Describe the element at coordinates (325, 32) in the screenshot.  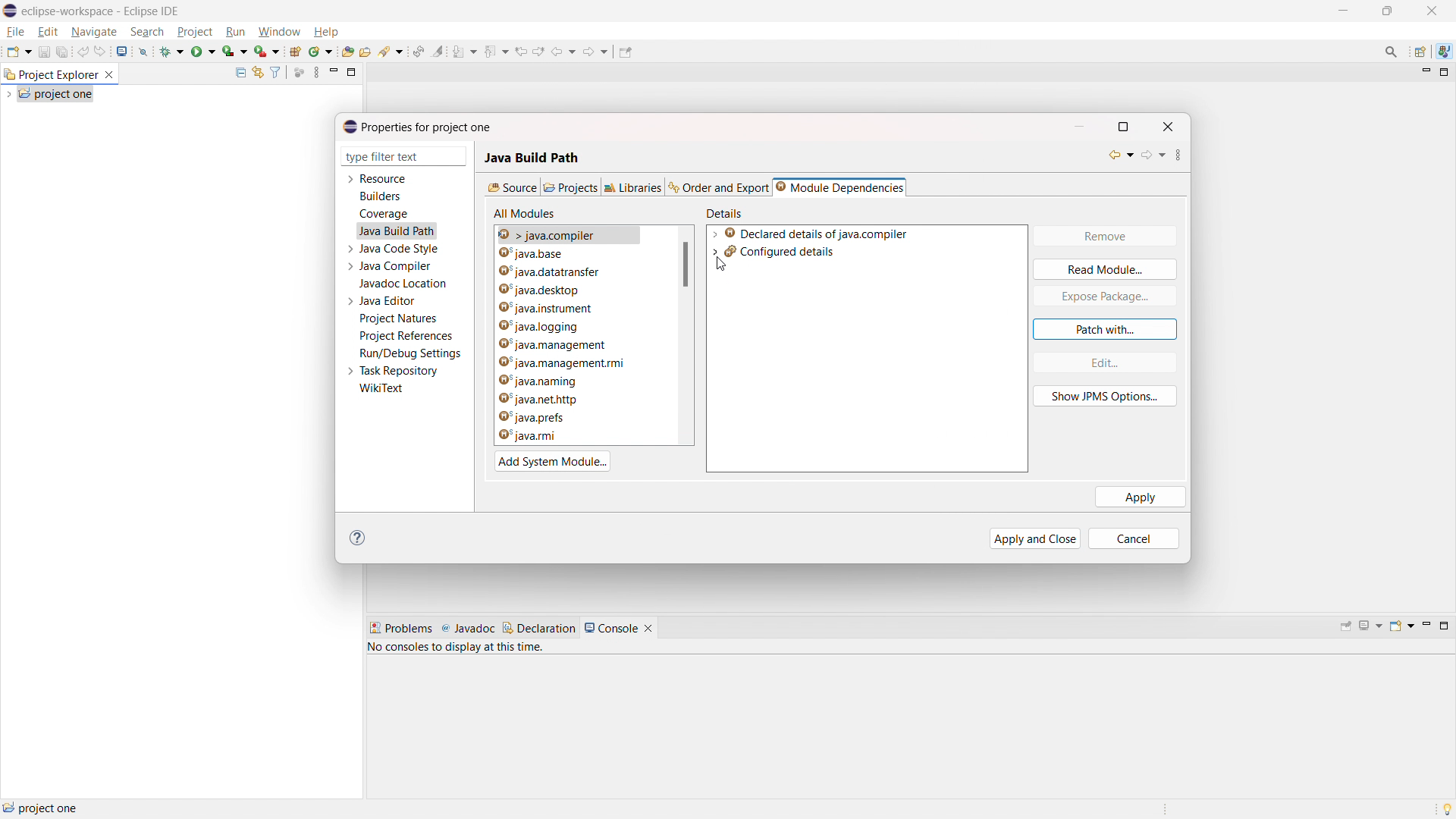
I see `help` at that location.